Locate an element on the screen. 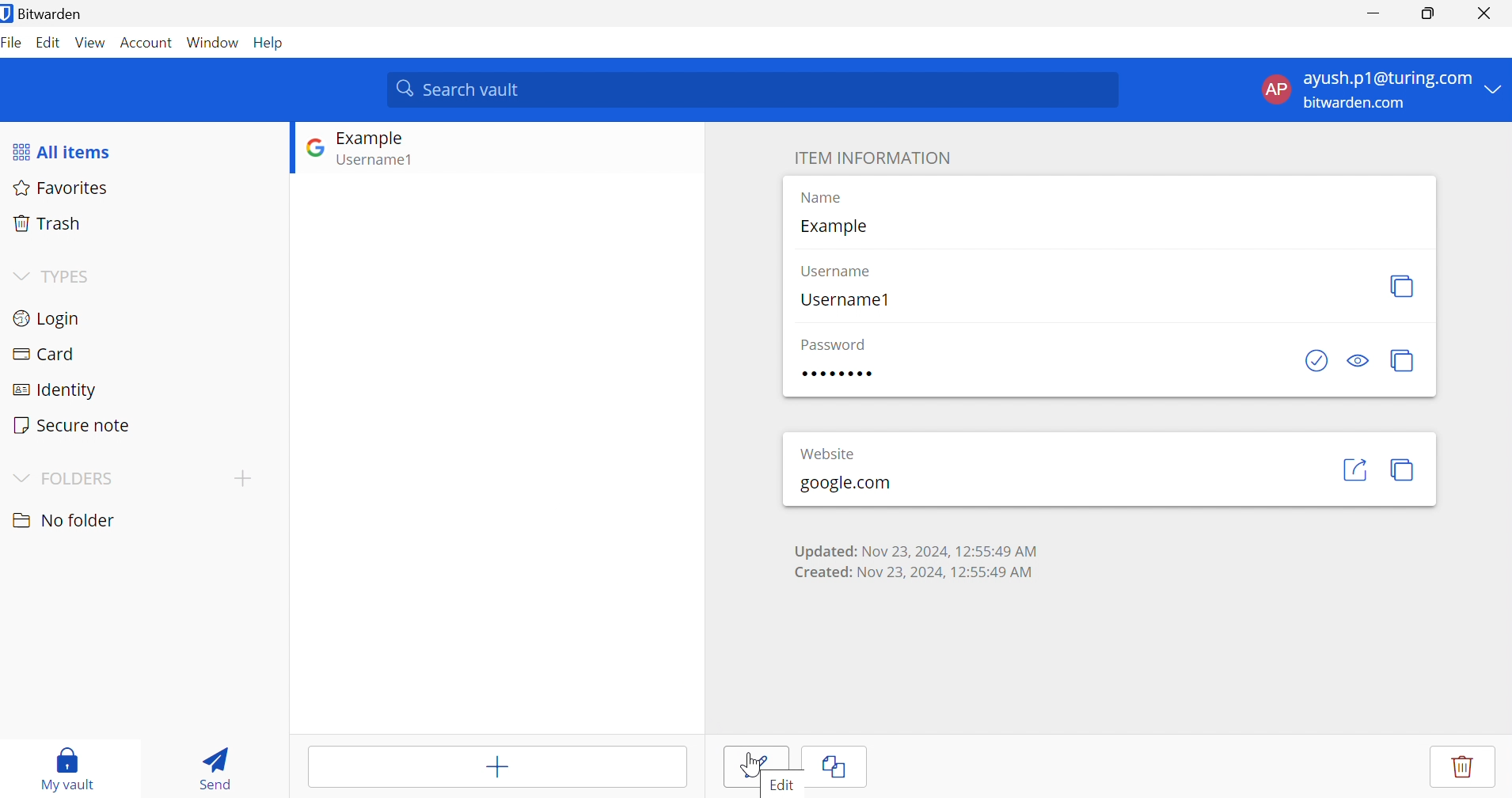  Website is located at coordinates (827, 452).